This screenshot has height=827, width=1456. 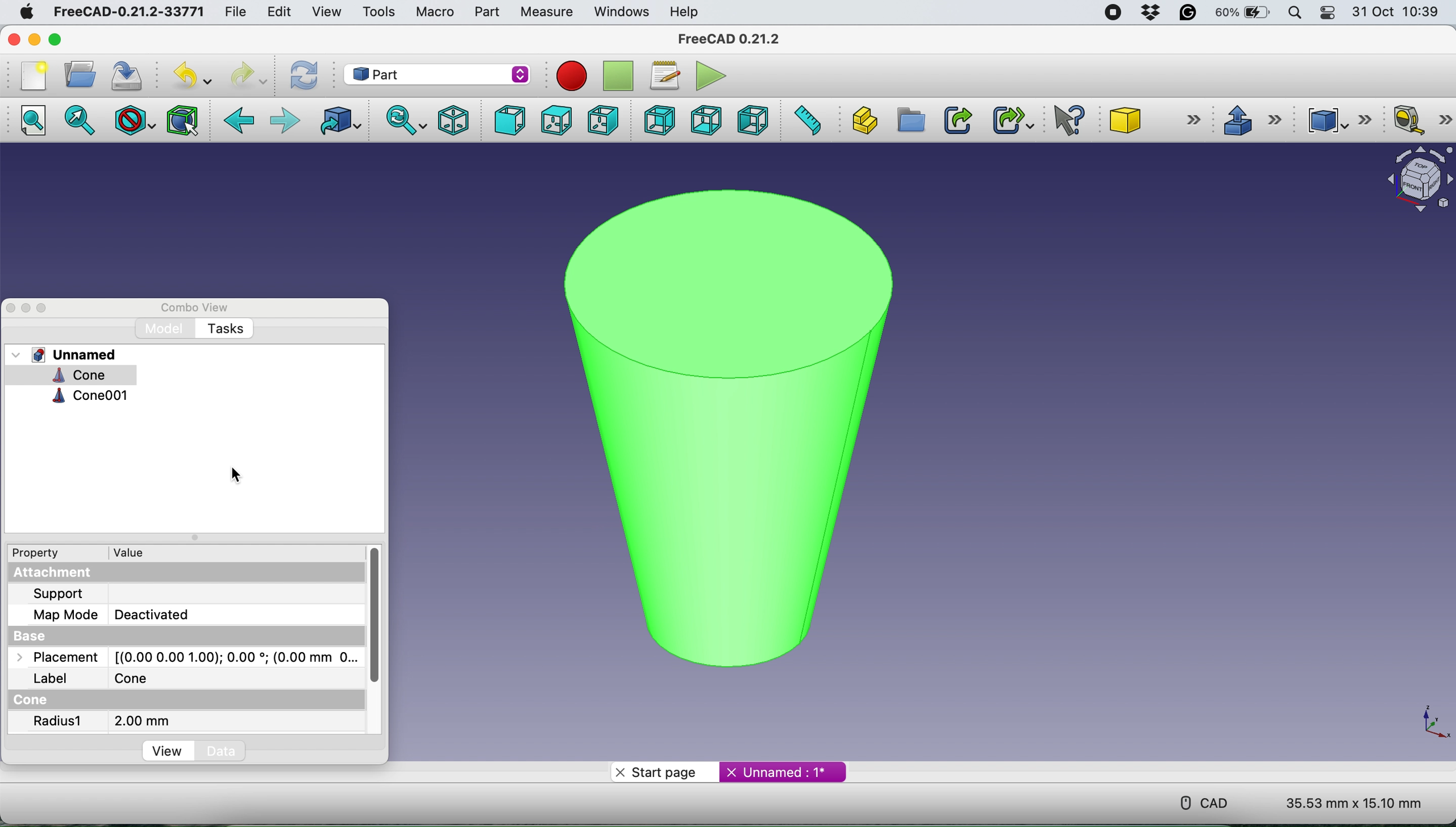 I want to click on isometric view, so click(x=455, y=119).